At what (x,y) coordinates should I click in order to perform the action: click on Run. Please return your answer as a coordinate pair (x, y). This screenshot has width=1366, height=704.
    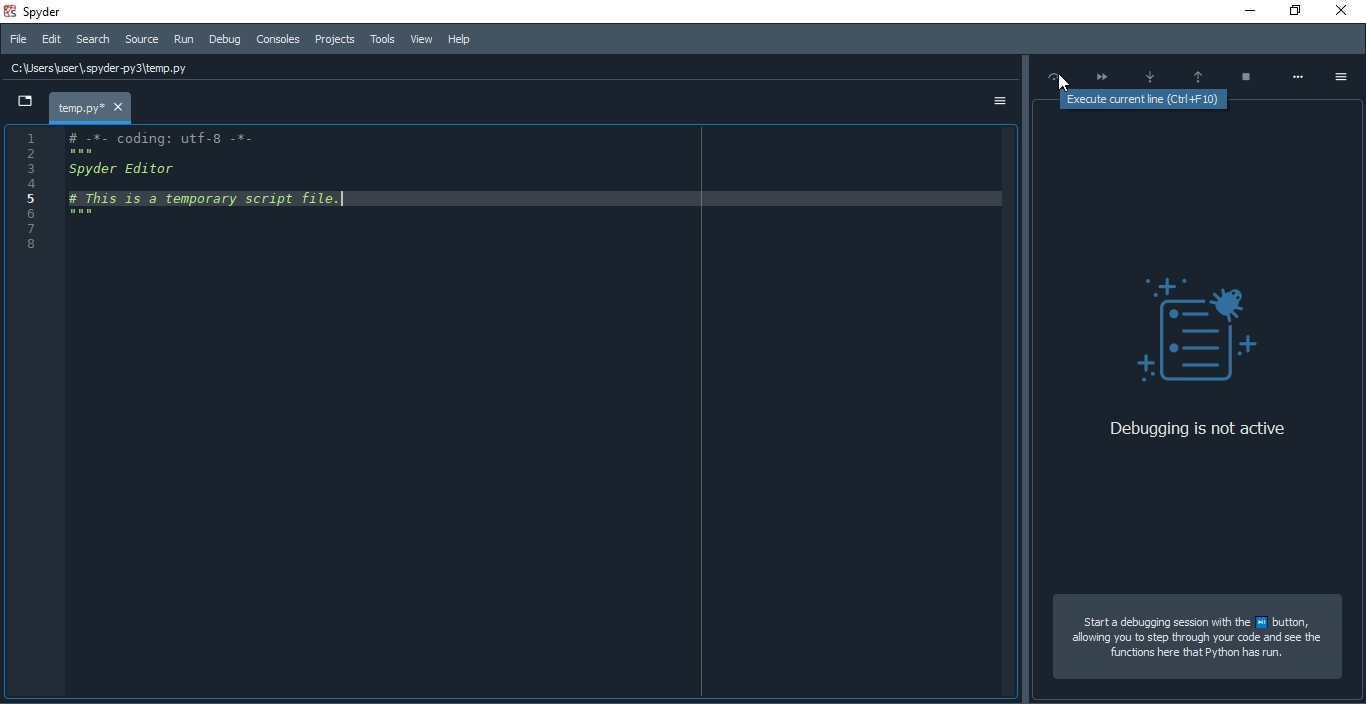
    Looking at the image, I should click on (184, 40).